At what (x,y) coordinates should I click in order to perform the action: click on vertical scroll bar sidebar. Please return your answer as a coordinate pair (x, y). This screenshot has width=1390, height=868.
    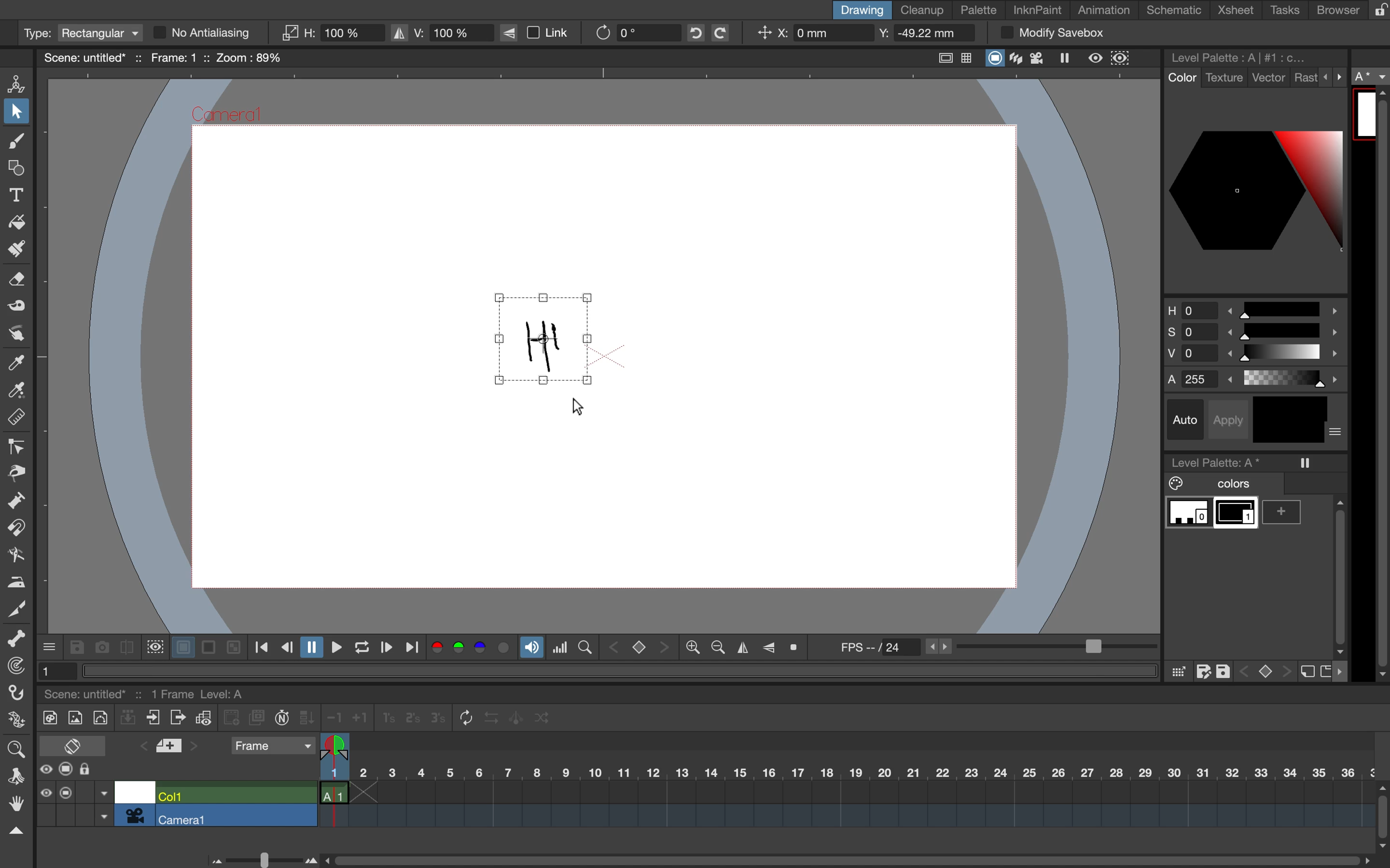
    Looking at the image, I should click on (1338, 572).